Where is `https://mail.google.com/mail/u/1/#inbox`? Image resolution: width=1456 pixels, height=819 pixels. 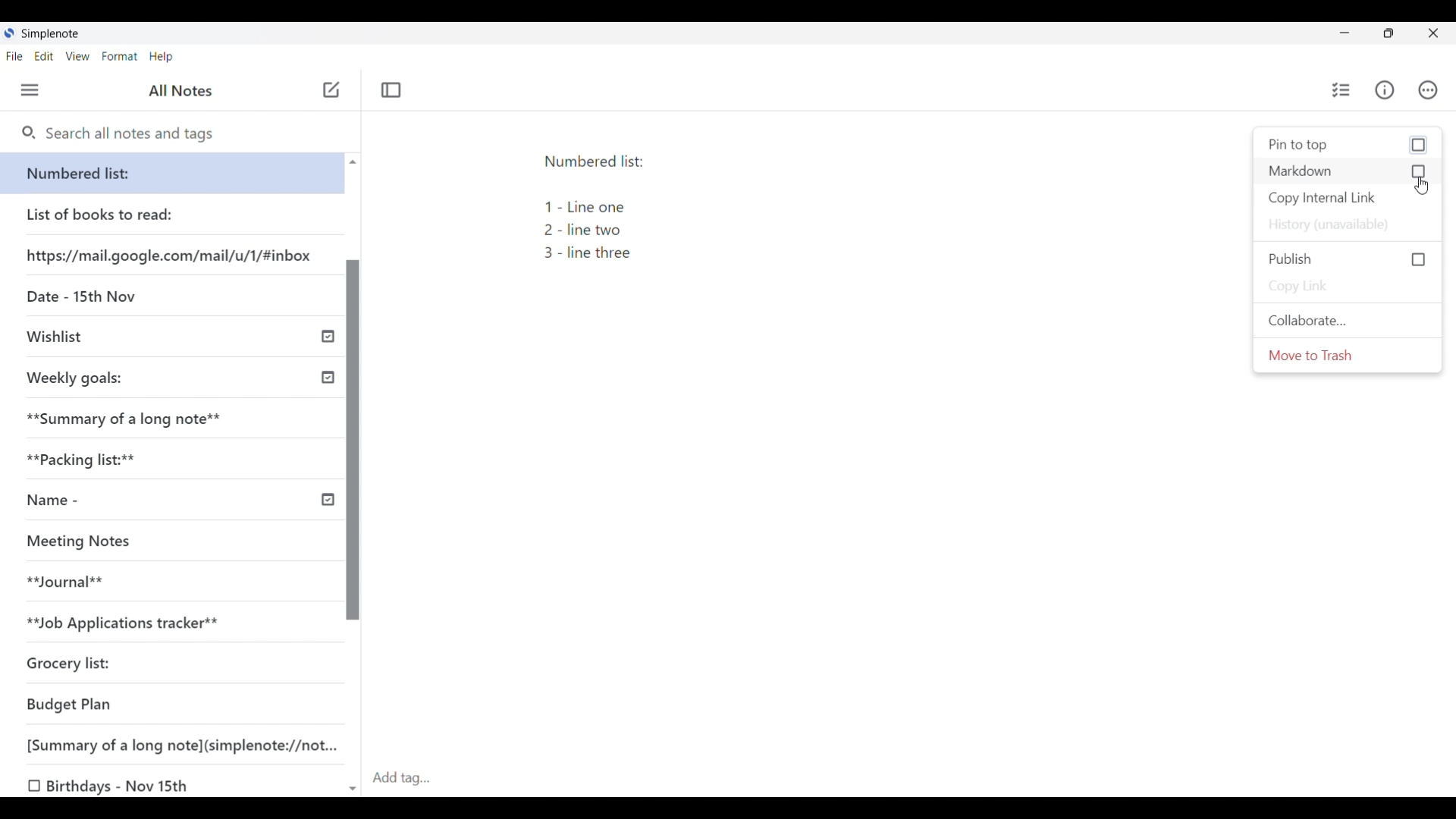 https://mail.google.com/mail/u/1/#inbox is located at coordinates (171, 256).